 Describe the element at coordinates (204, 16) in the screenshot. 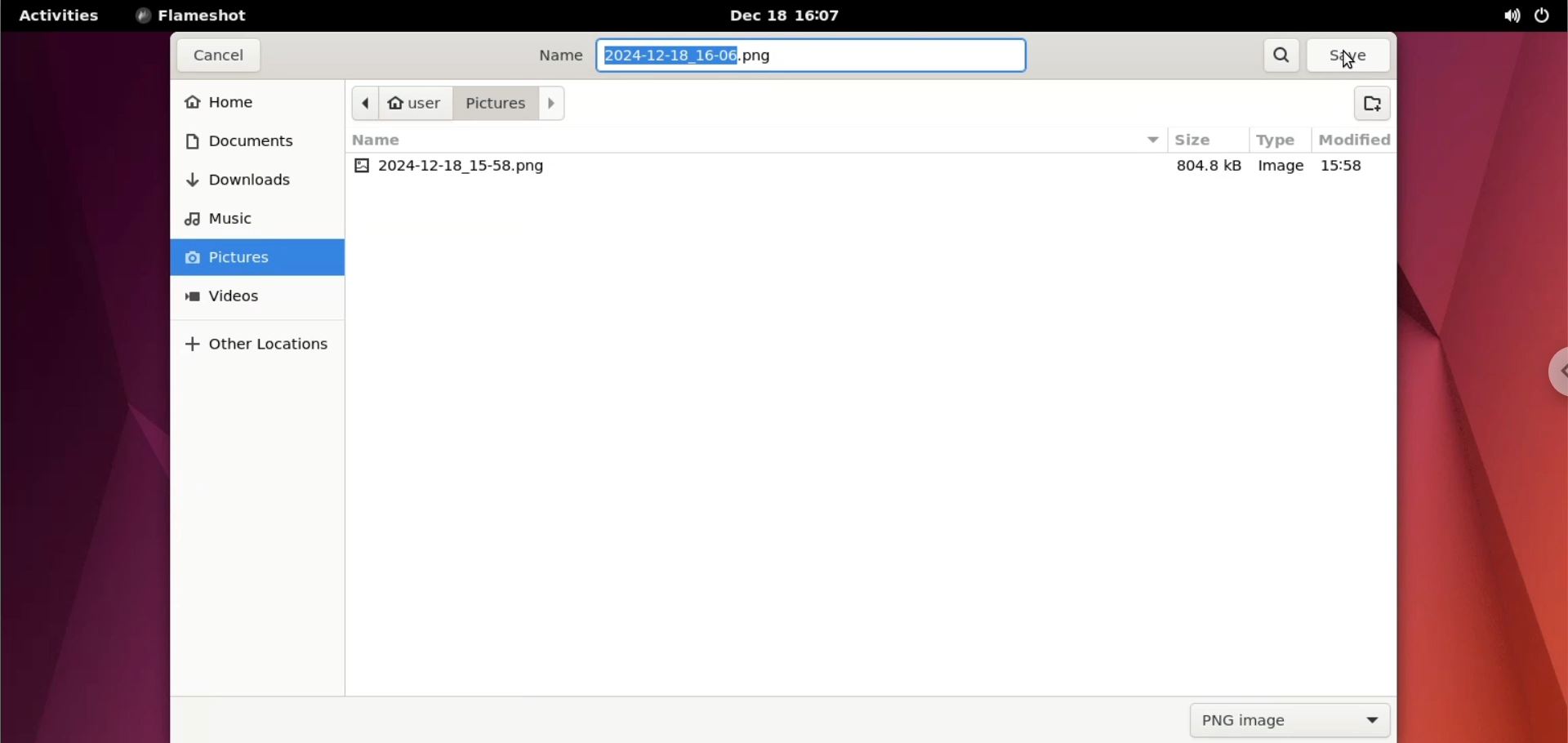

I see `flameshot menu` at that location.